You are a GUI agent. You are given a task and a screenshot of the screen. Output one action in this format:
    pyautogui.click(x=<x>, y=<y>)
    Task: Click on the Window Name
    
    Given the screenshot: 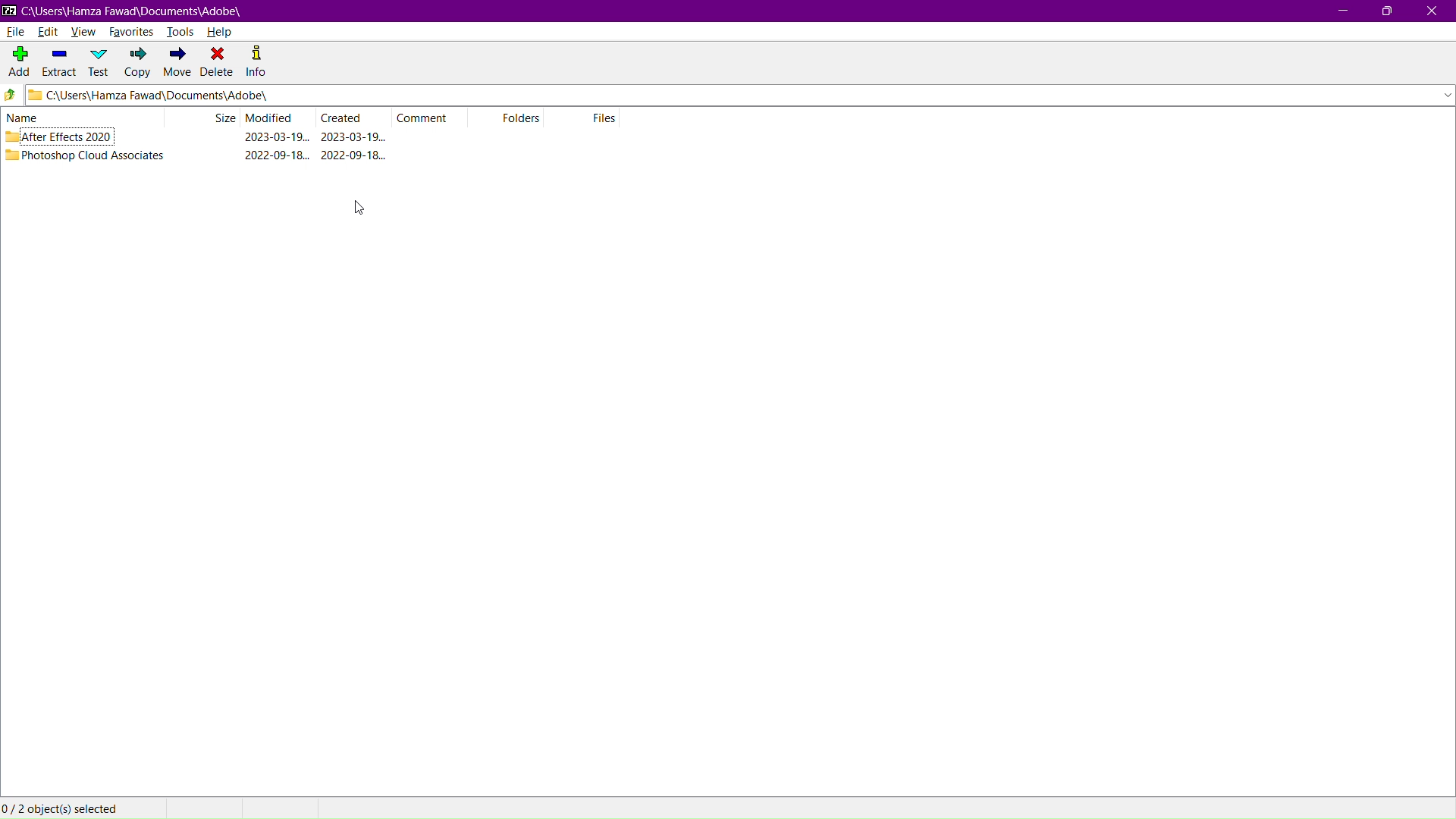 What is the action you would take?
    pyautogui.click(x=123, y=11)
    